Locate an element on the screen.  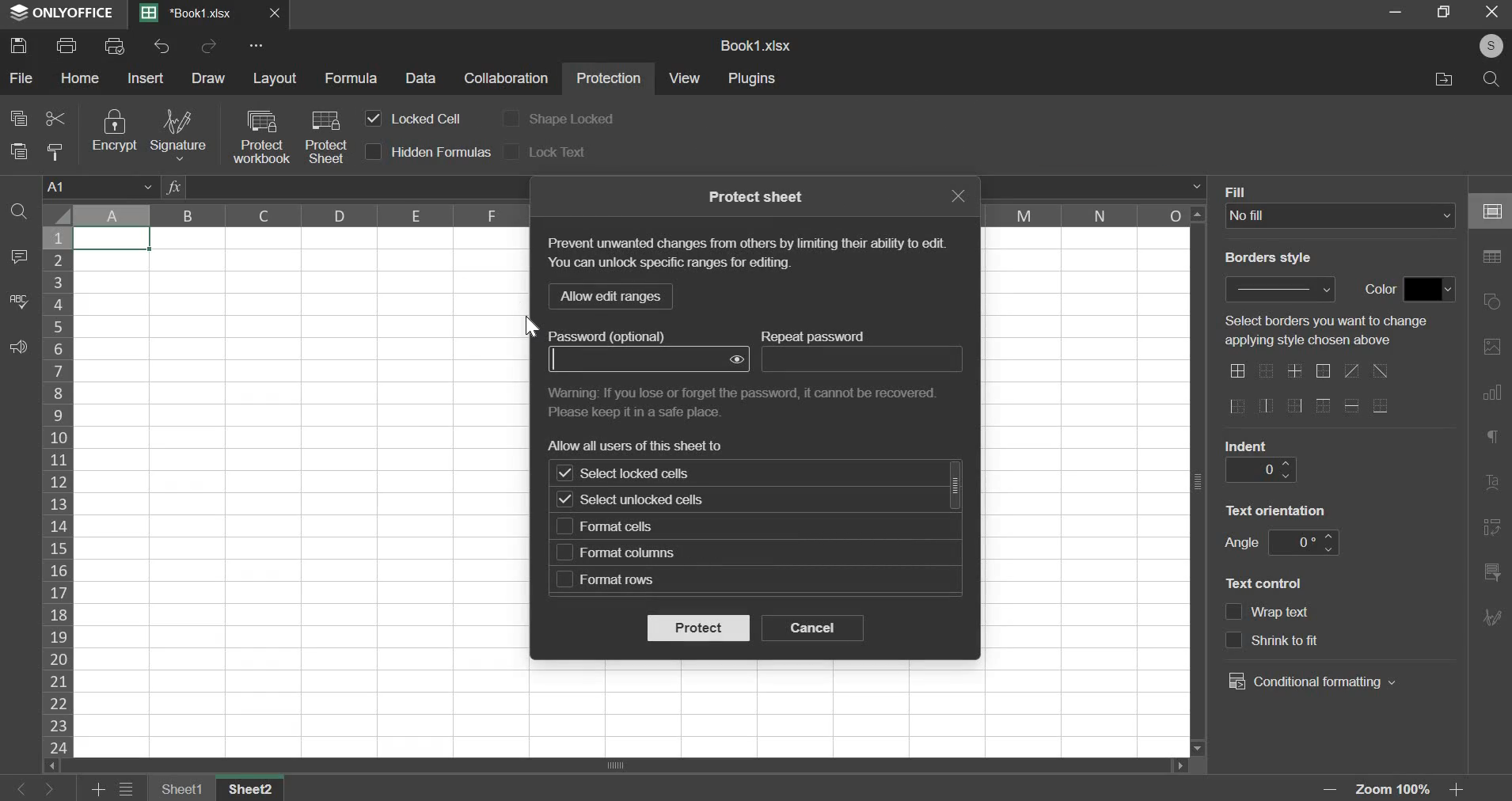
right side bar is located at coordinates (1492, 526).